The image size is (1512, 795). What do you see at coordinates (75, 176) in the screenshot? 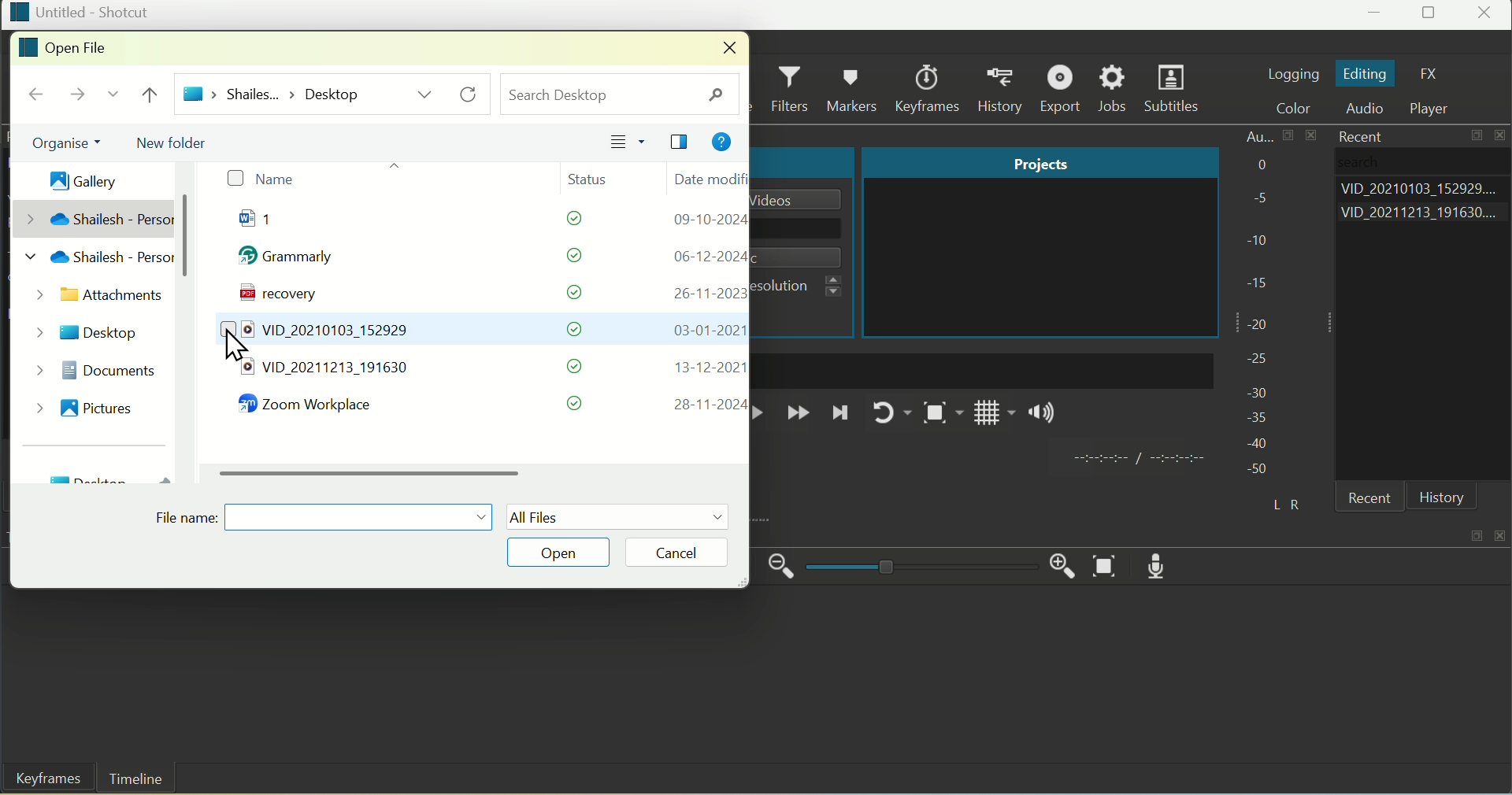
I see `Gallery` at bounding box center [75, 176].